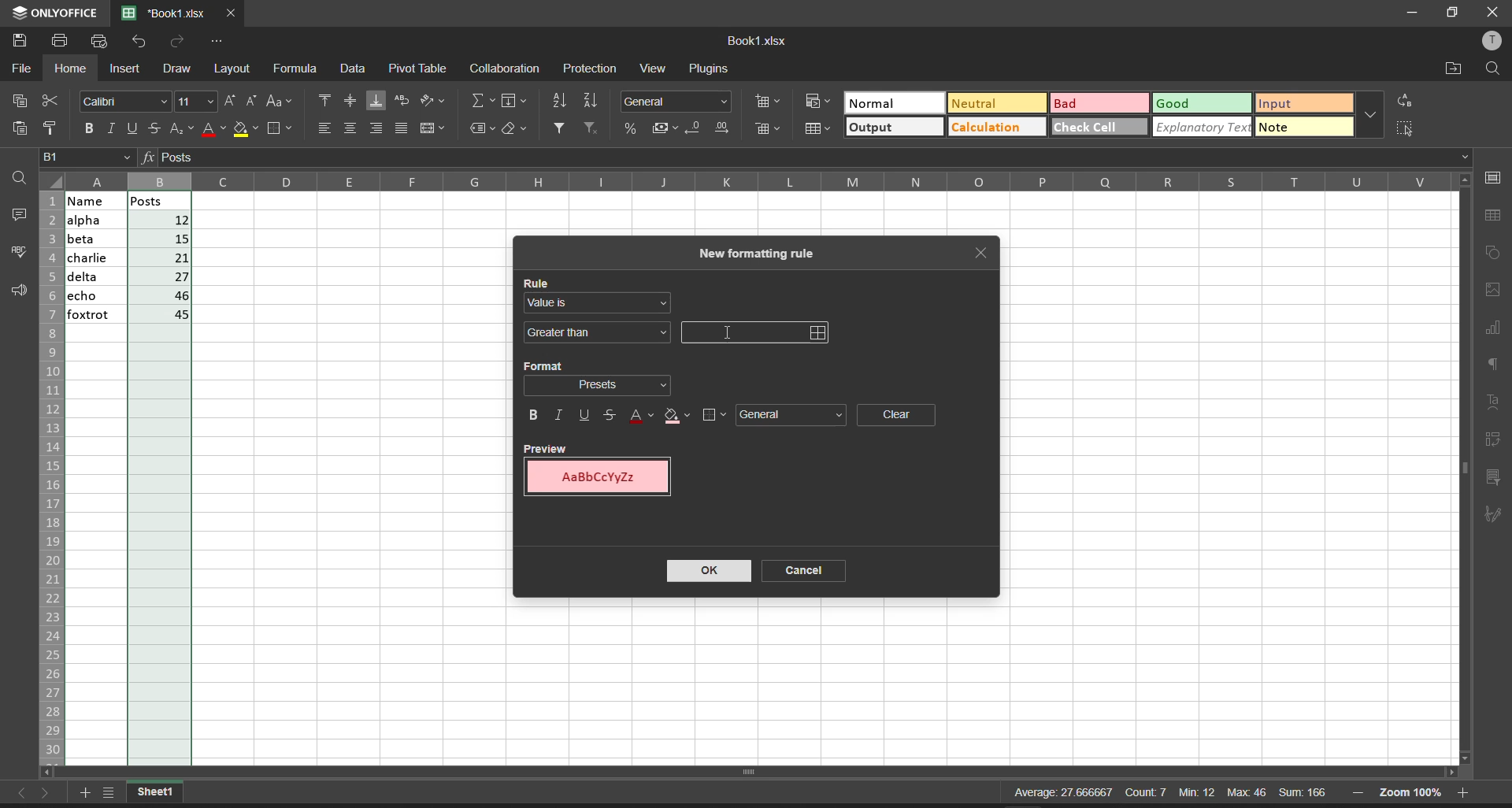 This screenshot has width=1512, height=808. Describe the element at coordinates (602, 386) in the screenshot. I see `format selection dropdown` at that location.